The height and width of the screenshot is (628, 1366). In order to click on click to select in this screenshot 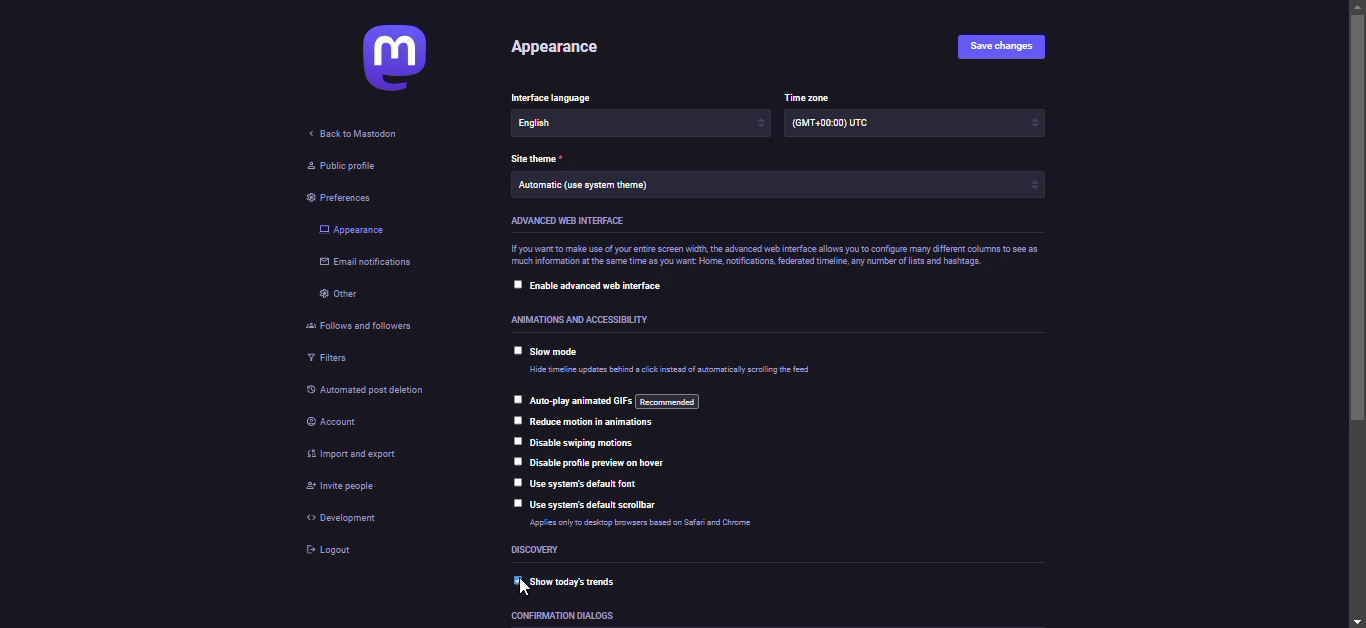, I will do `click(515, 397)`.